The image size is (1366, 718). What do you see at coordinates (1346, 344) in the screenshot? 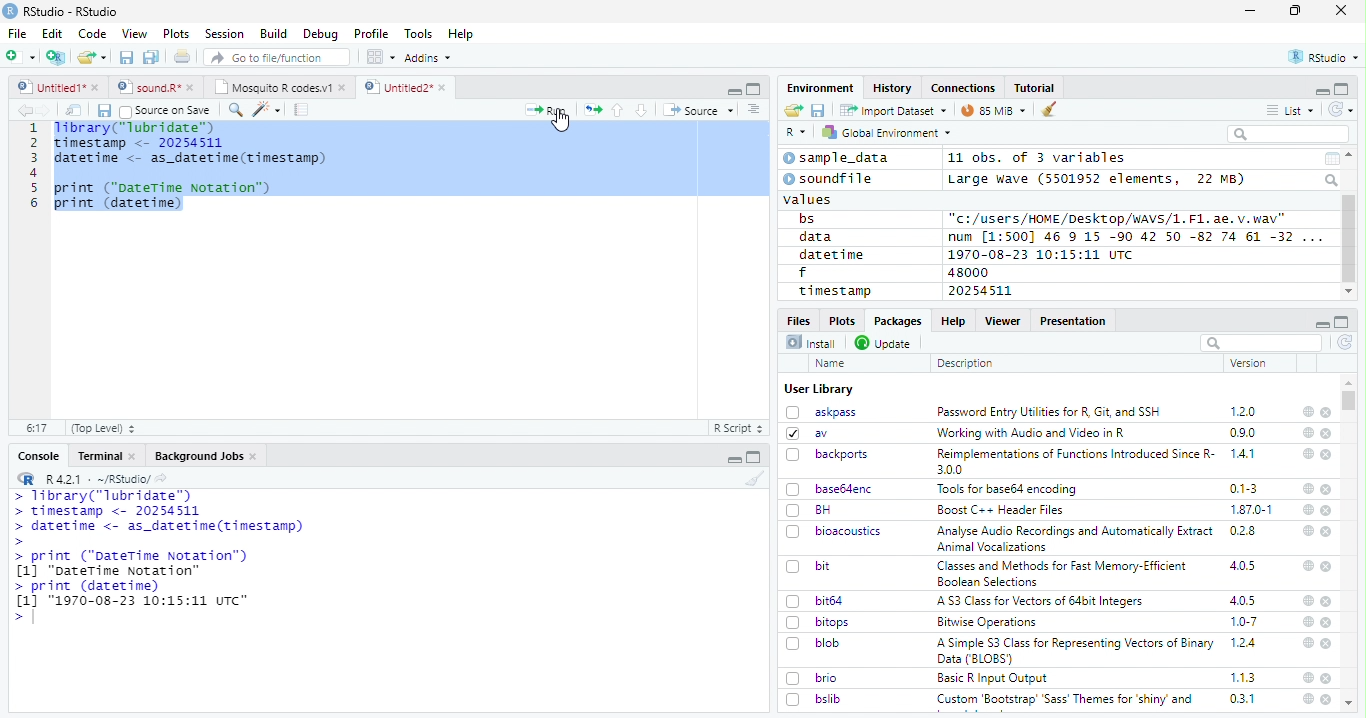
I see `Refresh` at bounding box center [1346, 344].